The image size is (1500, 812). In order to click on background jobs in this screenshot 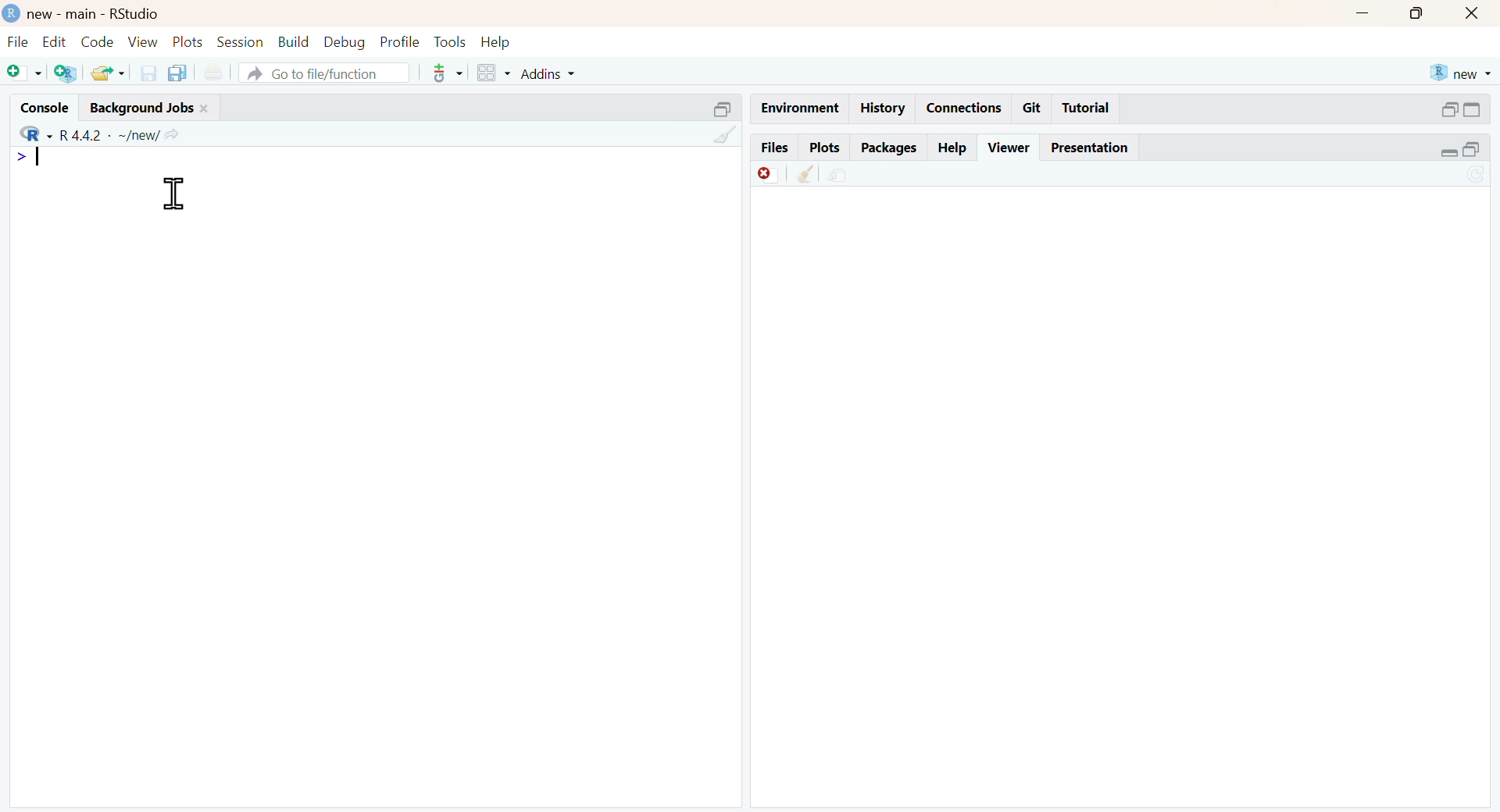, I will do `click(143, 109)`.